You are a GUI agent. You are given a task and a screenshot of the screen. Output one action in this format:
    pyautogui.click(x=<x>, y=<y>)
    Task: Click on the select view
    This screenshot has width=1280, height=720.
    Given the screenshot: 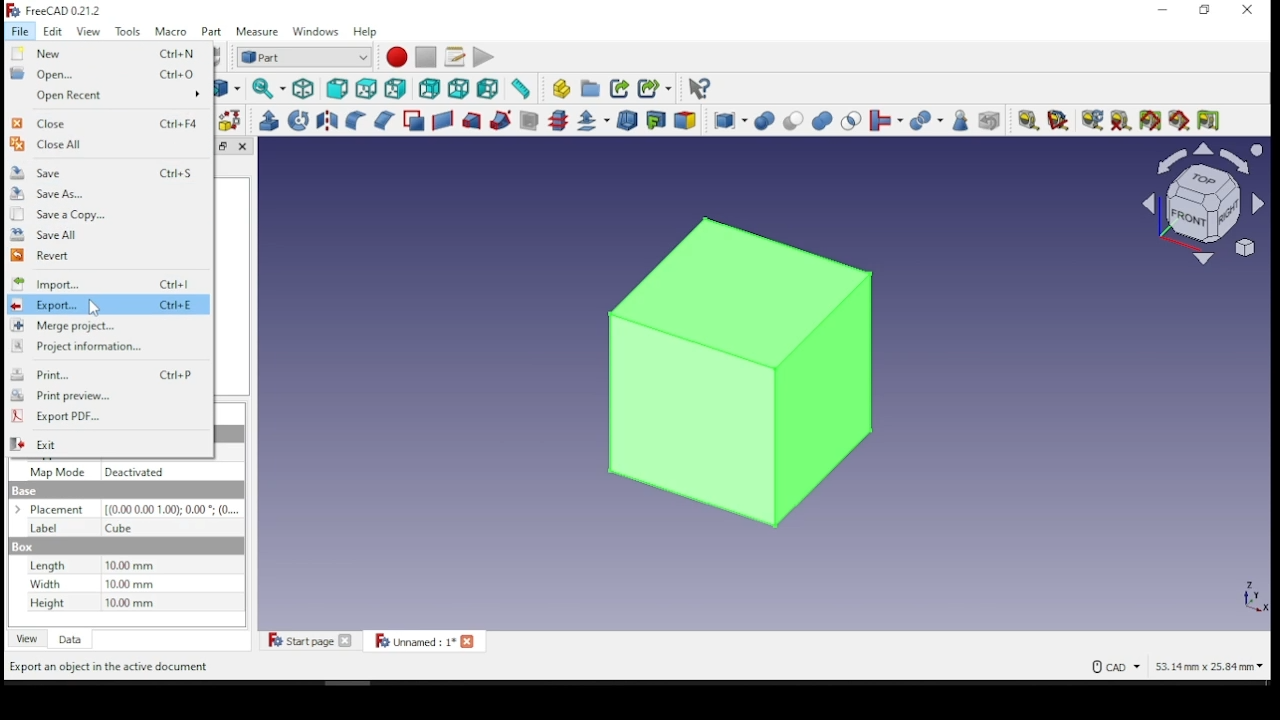 What is the action you would take?
    pyautogui.click(x=1202, y=206)
    